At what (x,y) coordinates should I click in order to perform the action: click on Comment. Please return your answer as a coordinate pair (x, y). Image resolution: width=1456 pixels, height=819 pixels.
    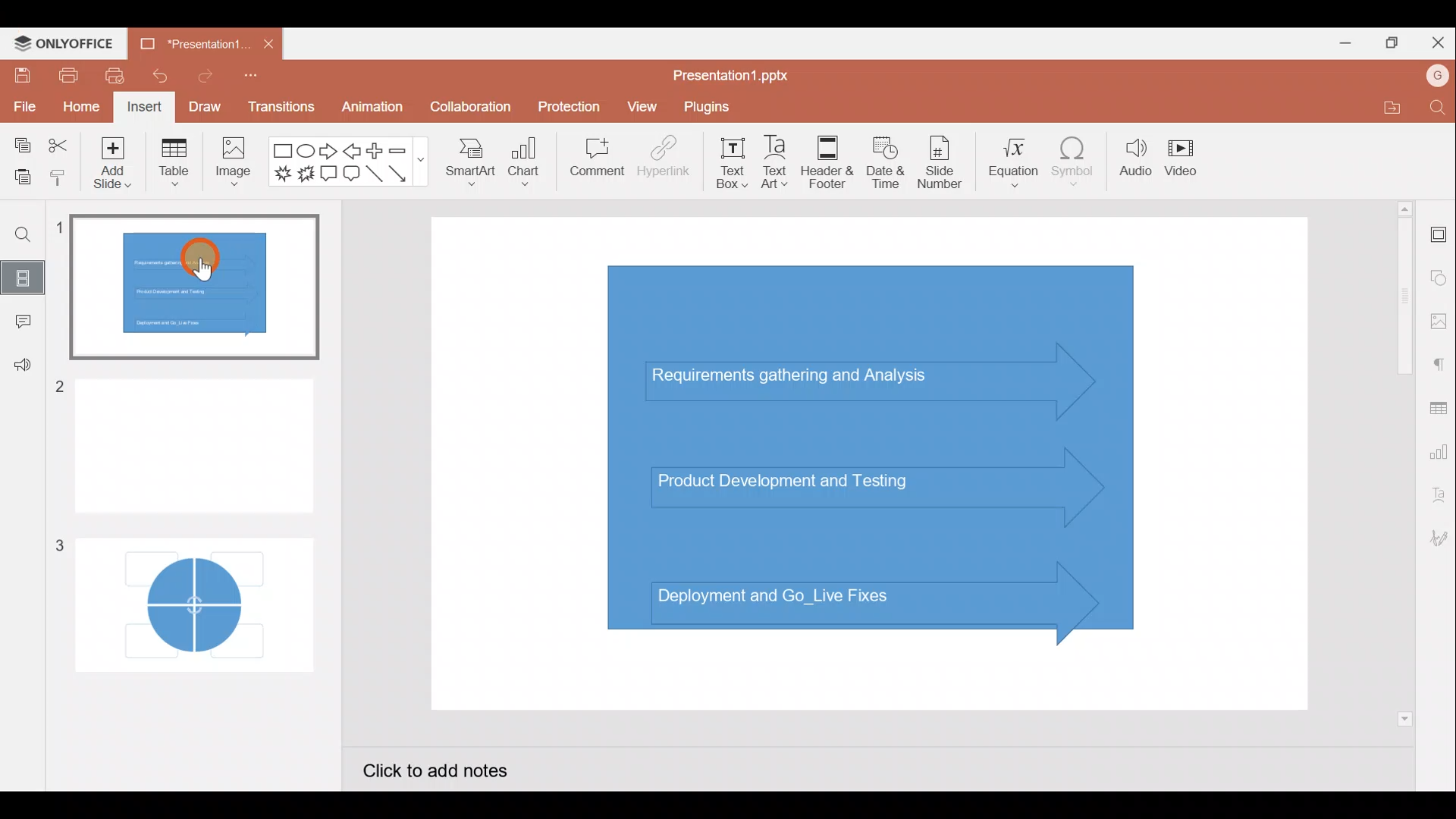
    Looking at the image, I should click on (19, 322).